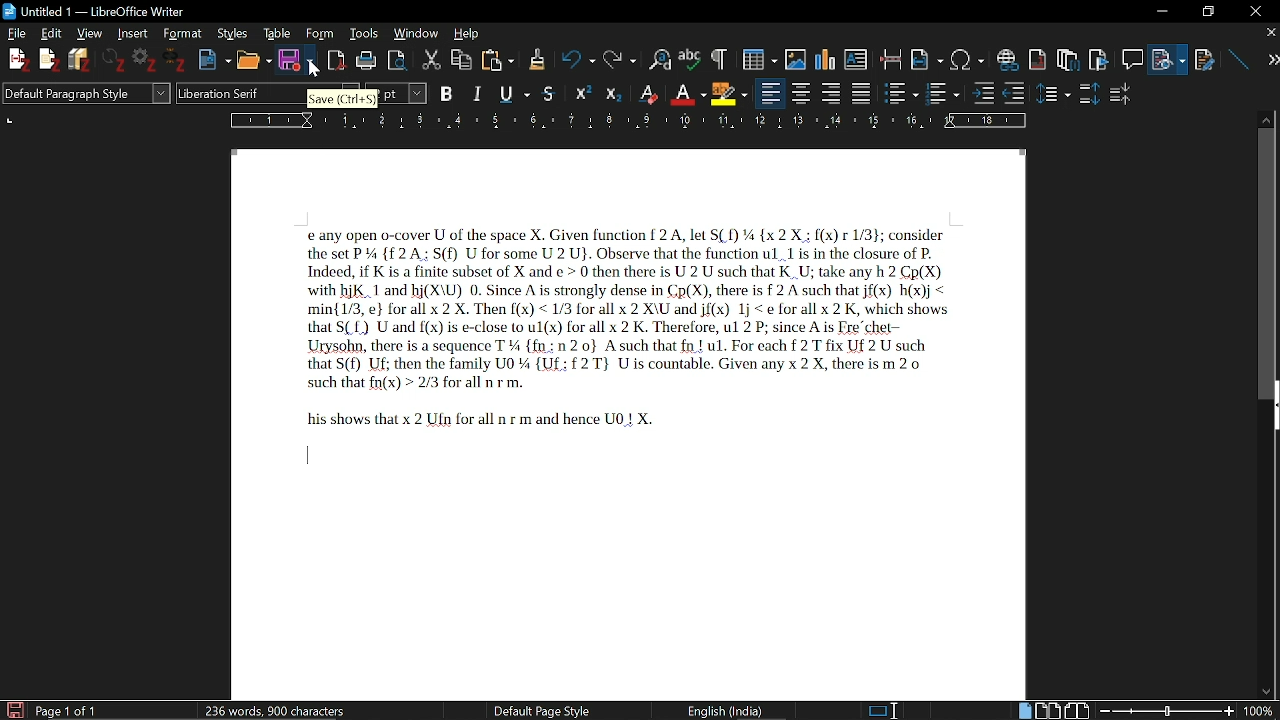 This screenshot has height=720, width=1280. What do you see at coordinates (657, 58) in the screenshot?
I see `Find and replace ` at bounding box center [657, 58].